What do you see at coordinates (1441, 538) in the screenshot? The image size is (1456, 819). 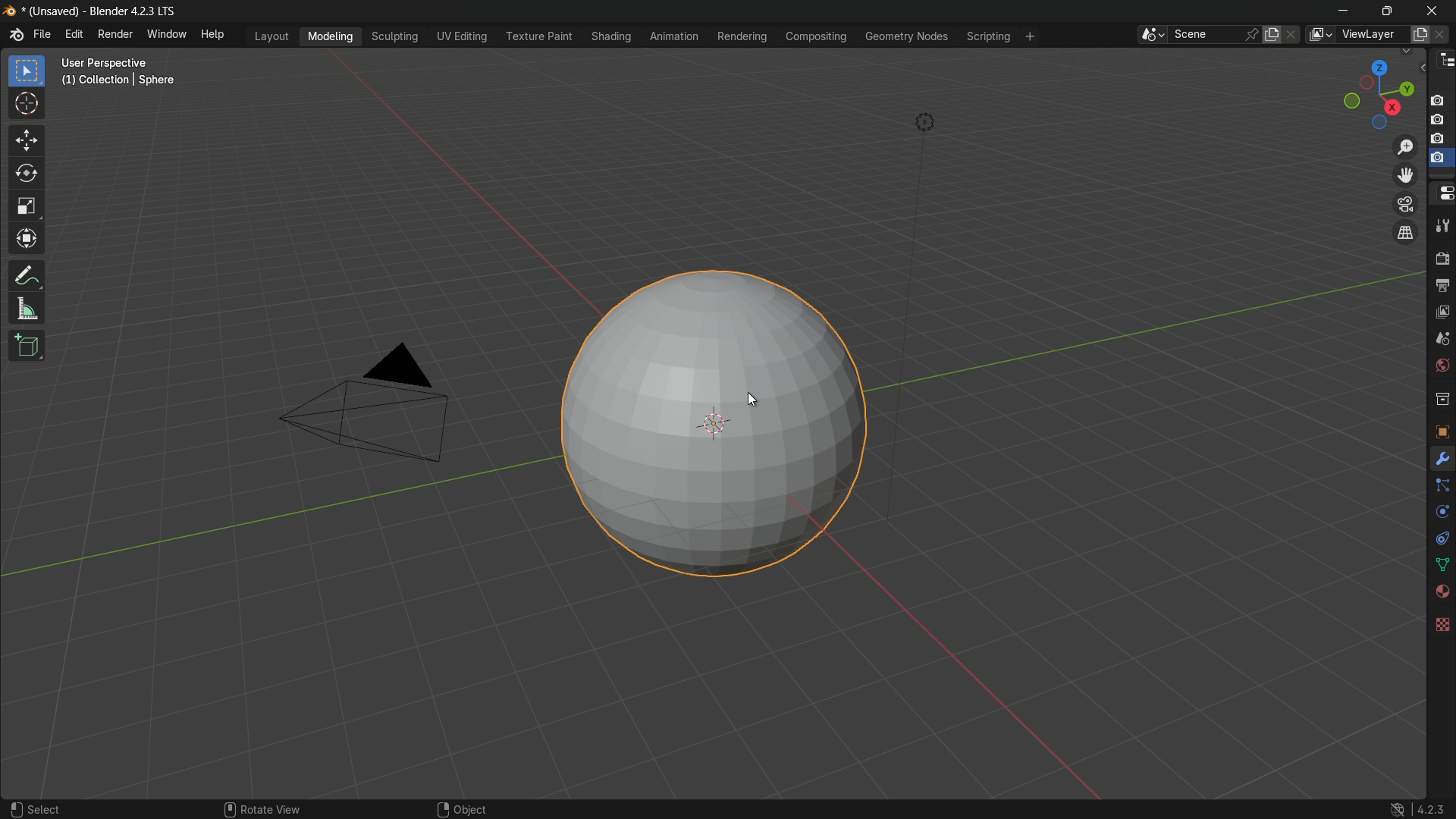 I see `constraint` at bounding box center [1441, 538].